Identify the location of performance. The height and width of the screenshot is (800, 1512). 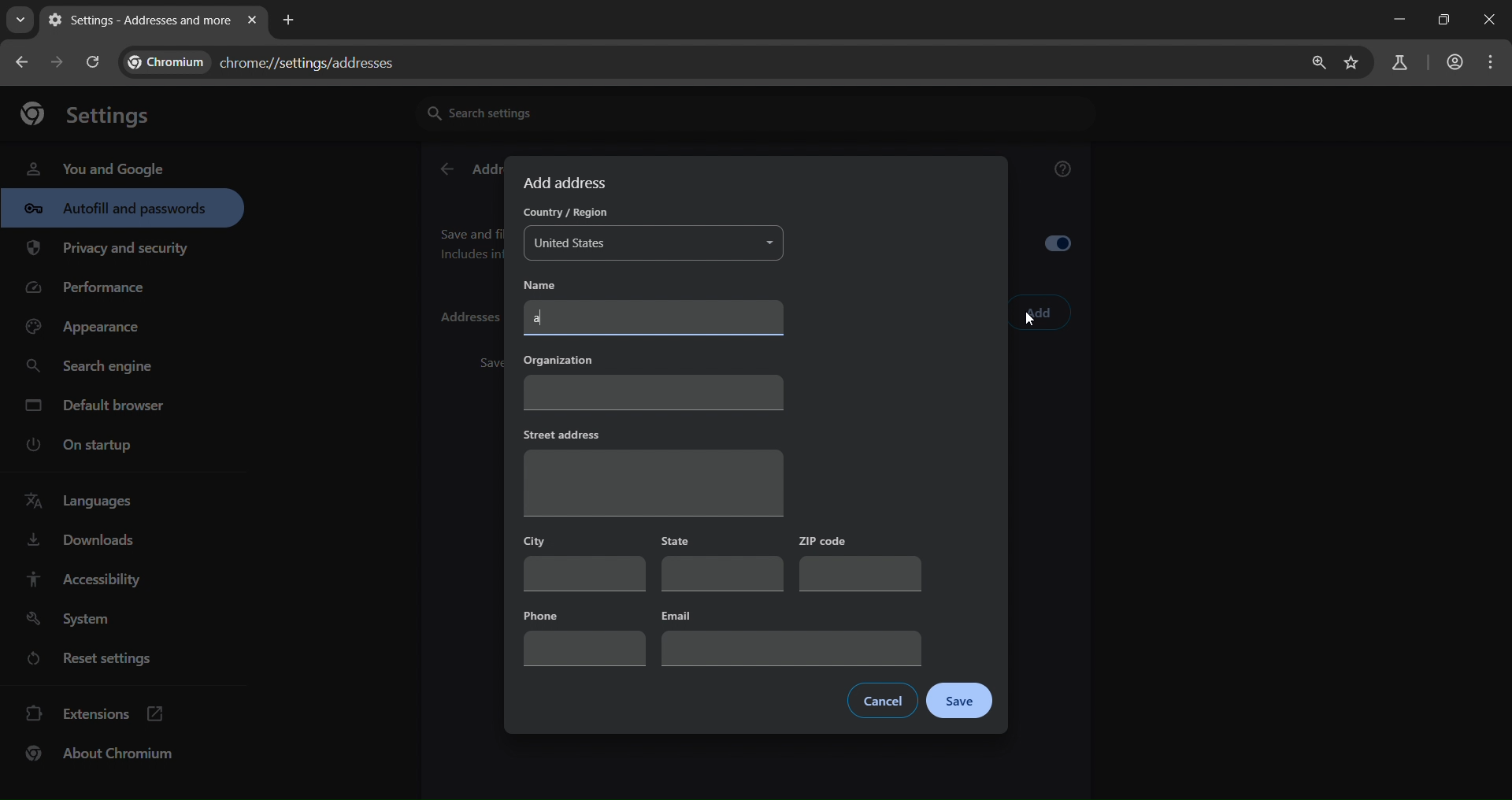
(91, 291).